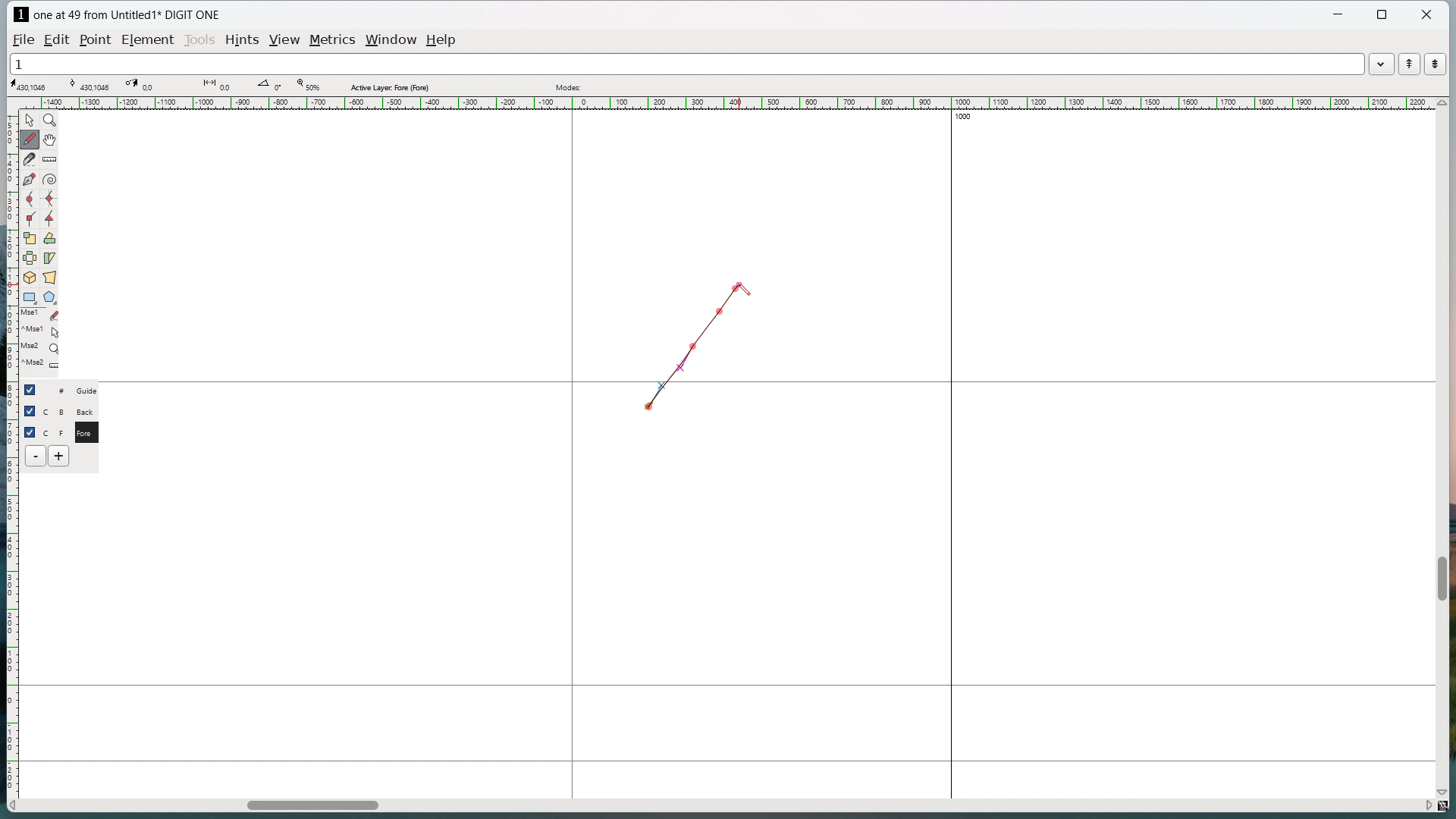 This screenshot has width=1456, height=819. What do you see at coordinates (24, 39) in the screenshot?
I see `file` at bounding box center [24, 39].